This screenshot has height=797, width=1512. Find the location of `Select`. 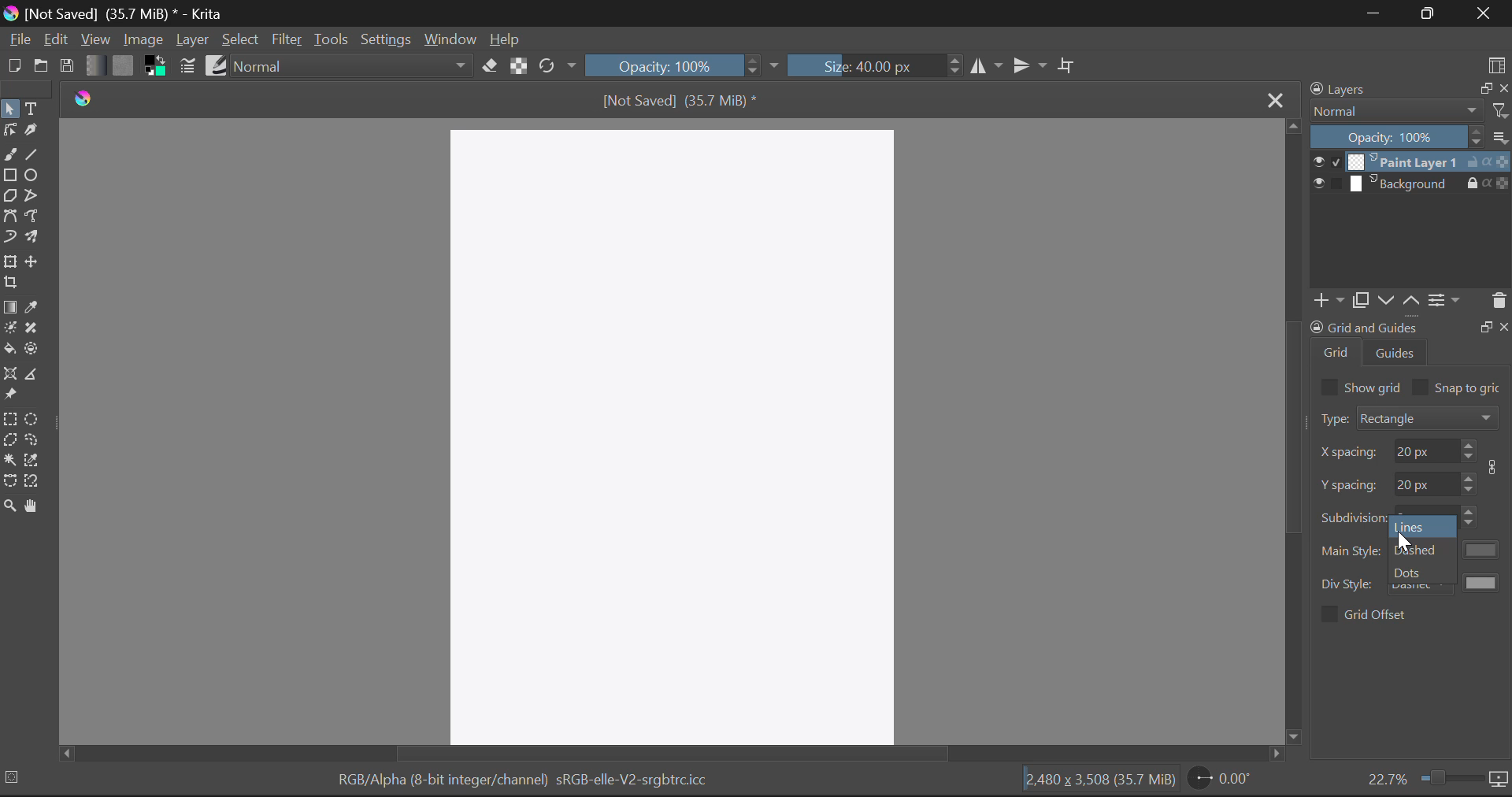

Select is located at coordinates (9, 109).